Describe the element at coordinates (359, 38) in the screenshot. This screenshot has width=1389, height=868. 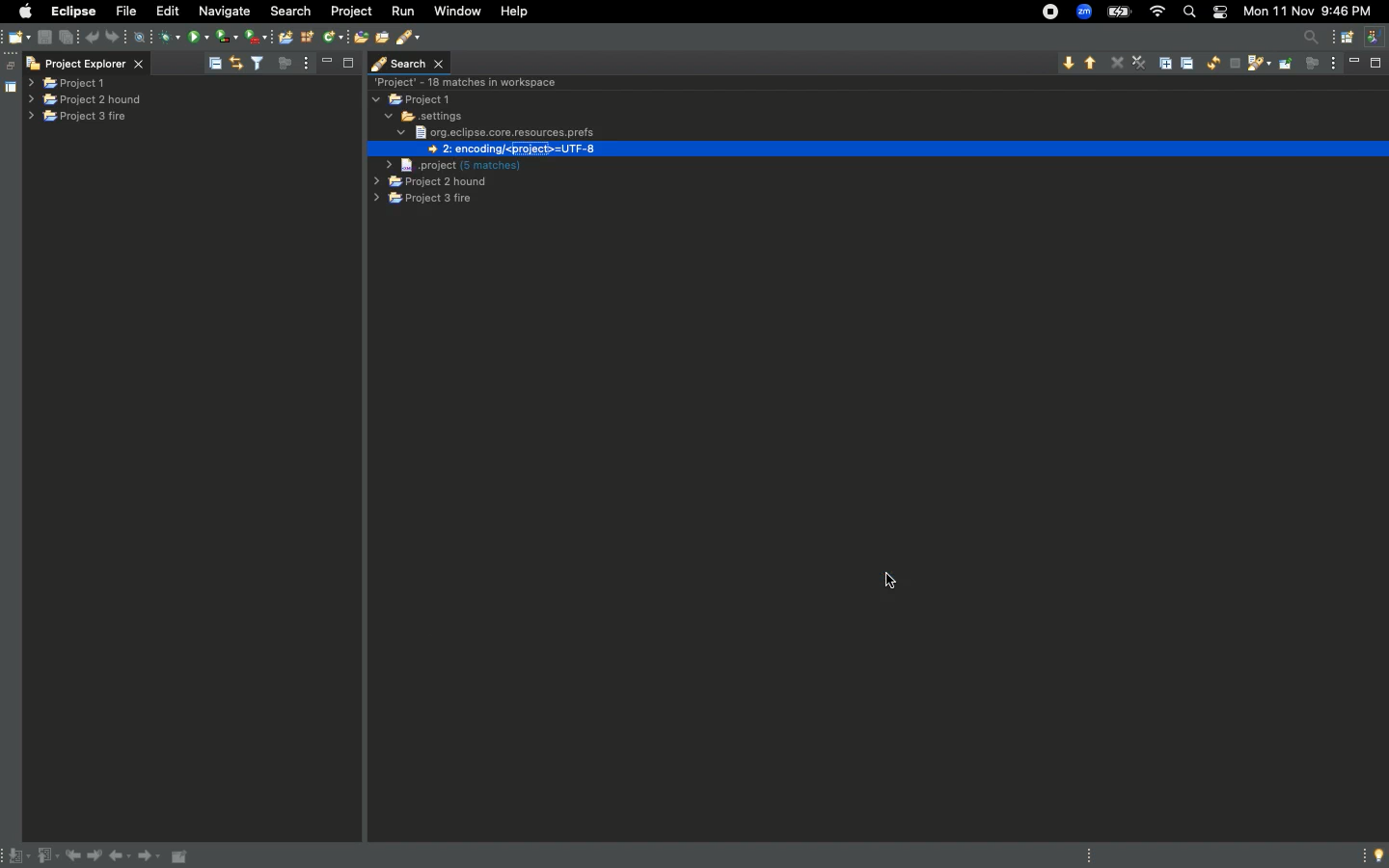
I see `open type` at that location.